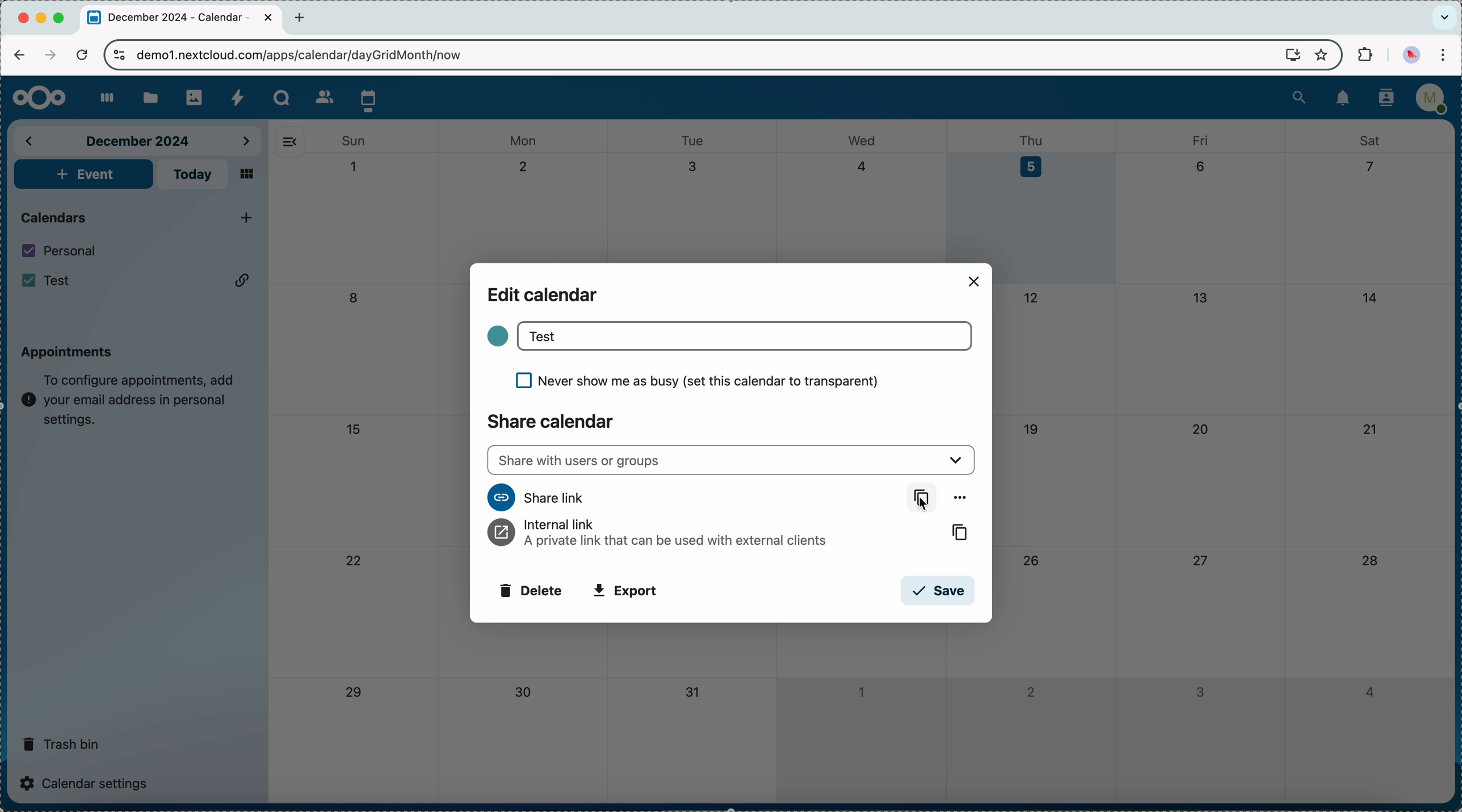 Image resolution: width=1462 pixels, height=812 pixels. What do you see at coordinates (247, 175) in the screenshot?
I see `mosaic view` at bounding box center [247, 175].